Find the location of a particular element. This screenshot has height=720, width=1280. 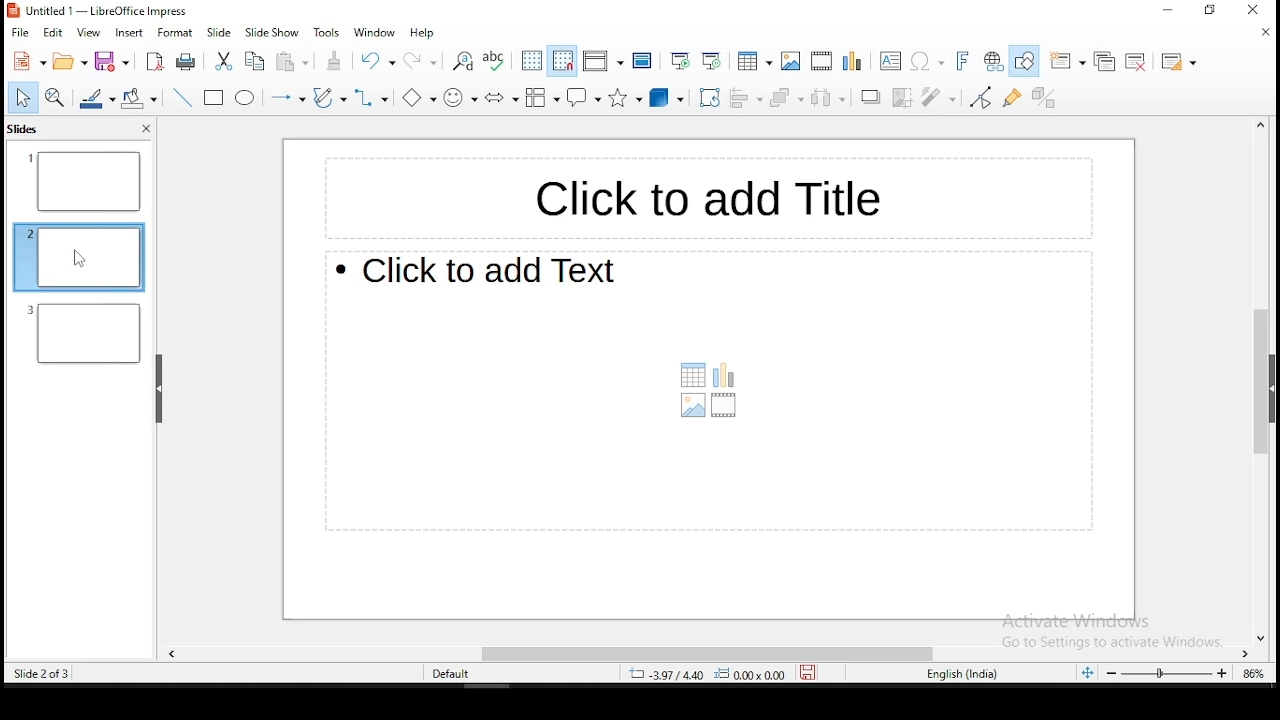

align objects is located at coordinates (748, 97).